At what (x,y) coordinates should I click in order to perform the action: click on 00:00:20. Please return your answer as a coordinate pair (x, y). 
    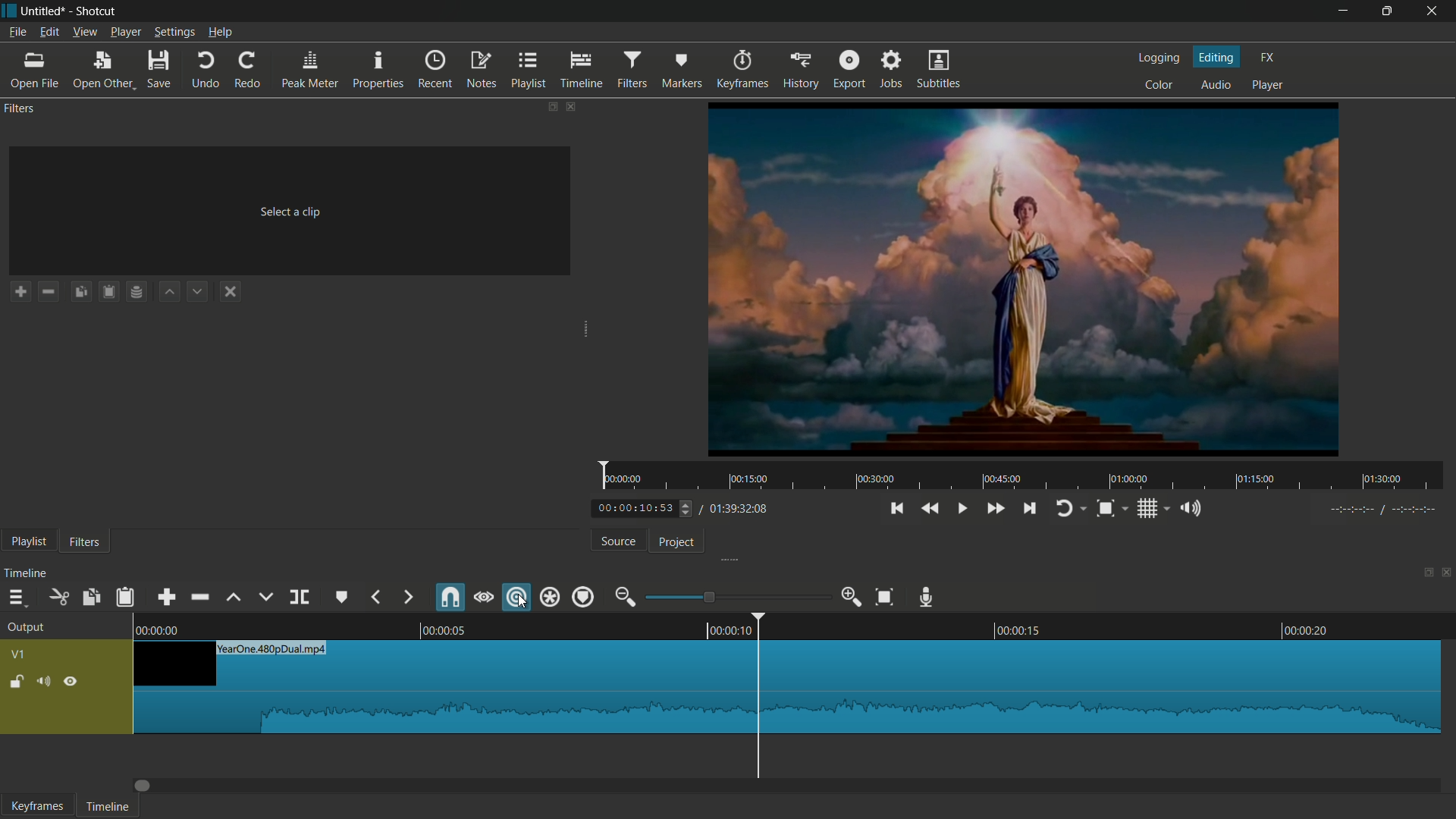
    Looking at the image, I should click on (1307, 629).